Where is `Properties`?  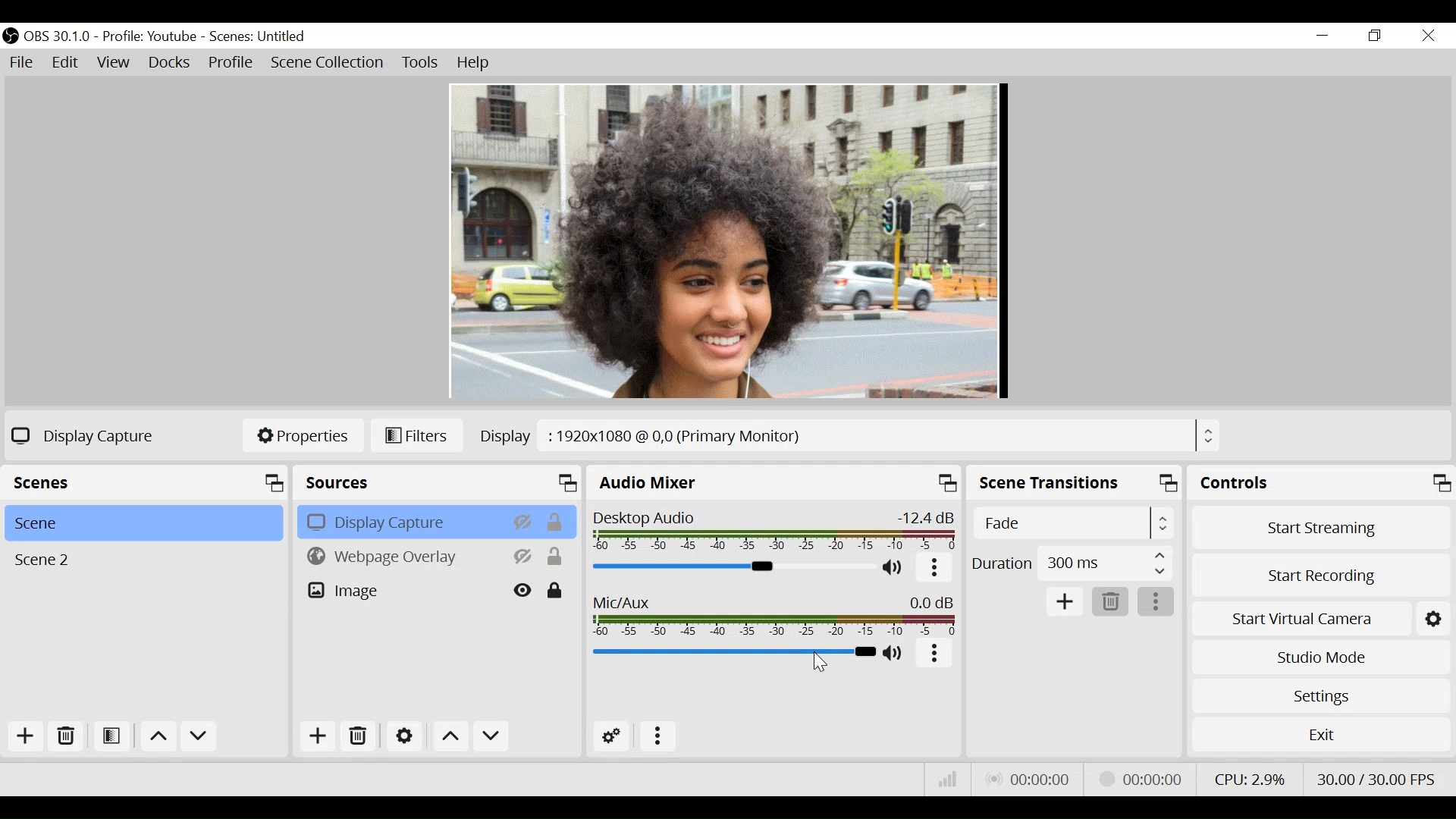
Properties is located at coordinates (301, 437).